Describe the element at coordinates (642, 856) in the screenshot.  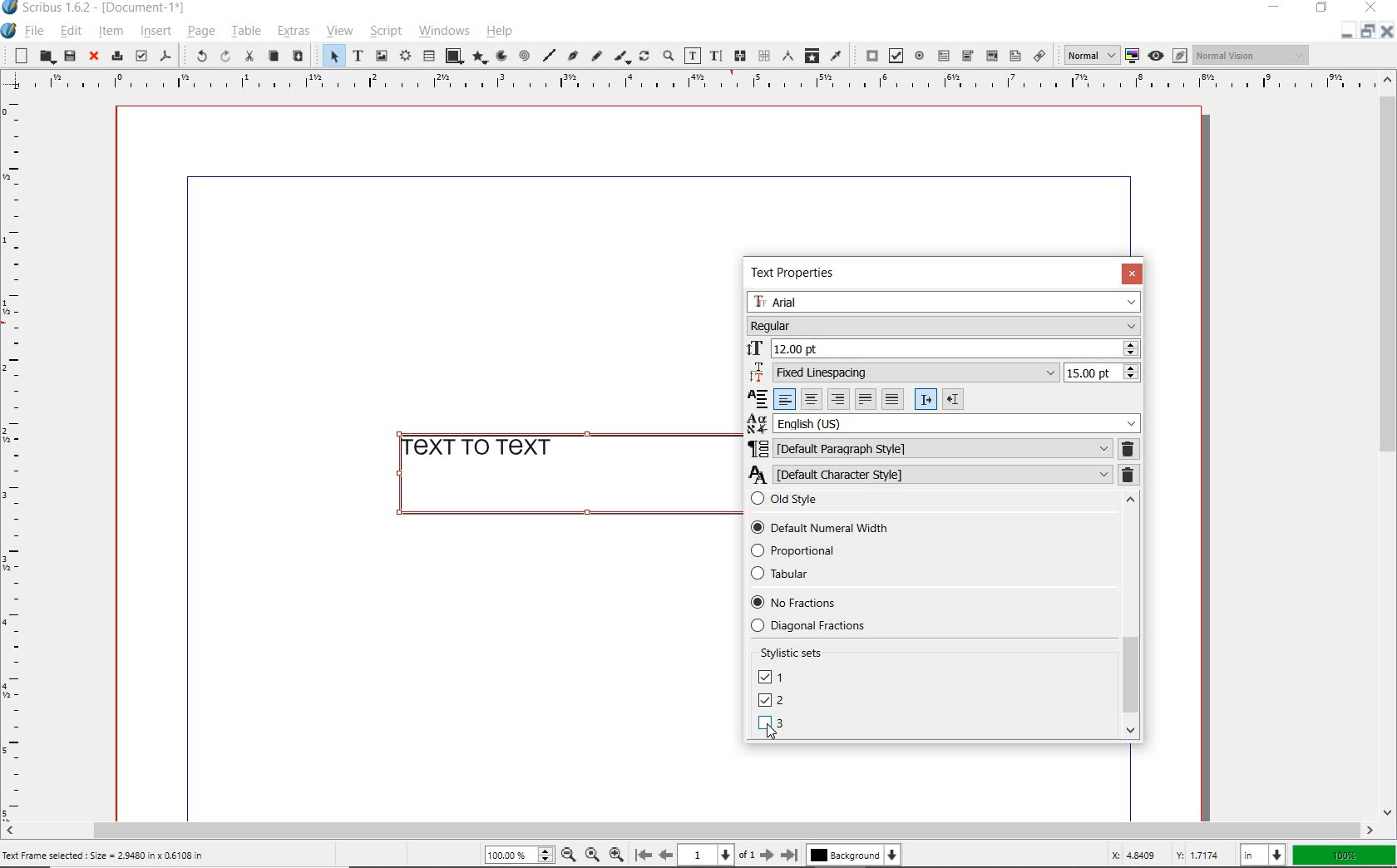
I see `First page` at that location.